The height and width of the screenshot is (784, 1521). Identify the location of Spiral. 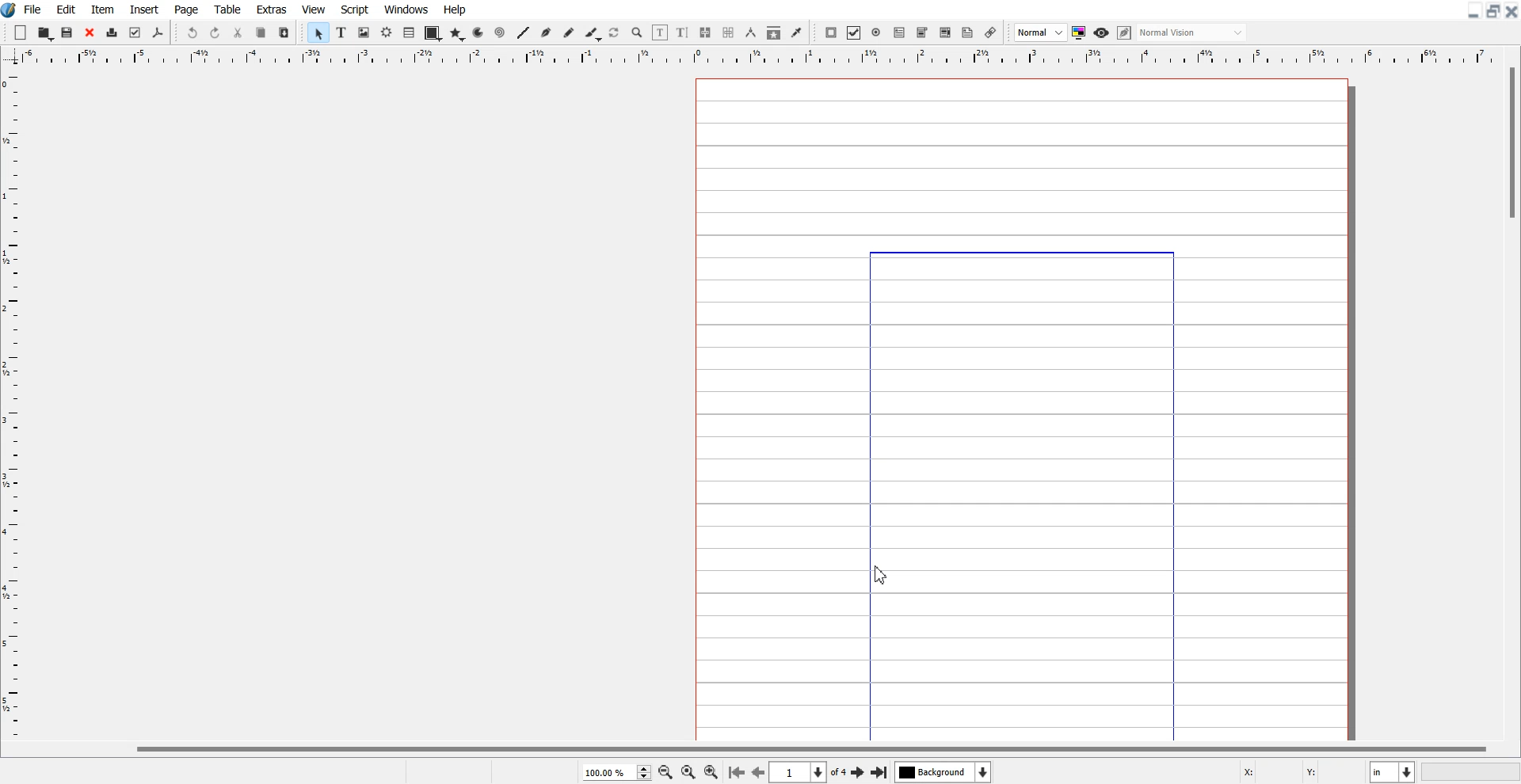
(499, 32).